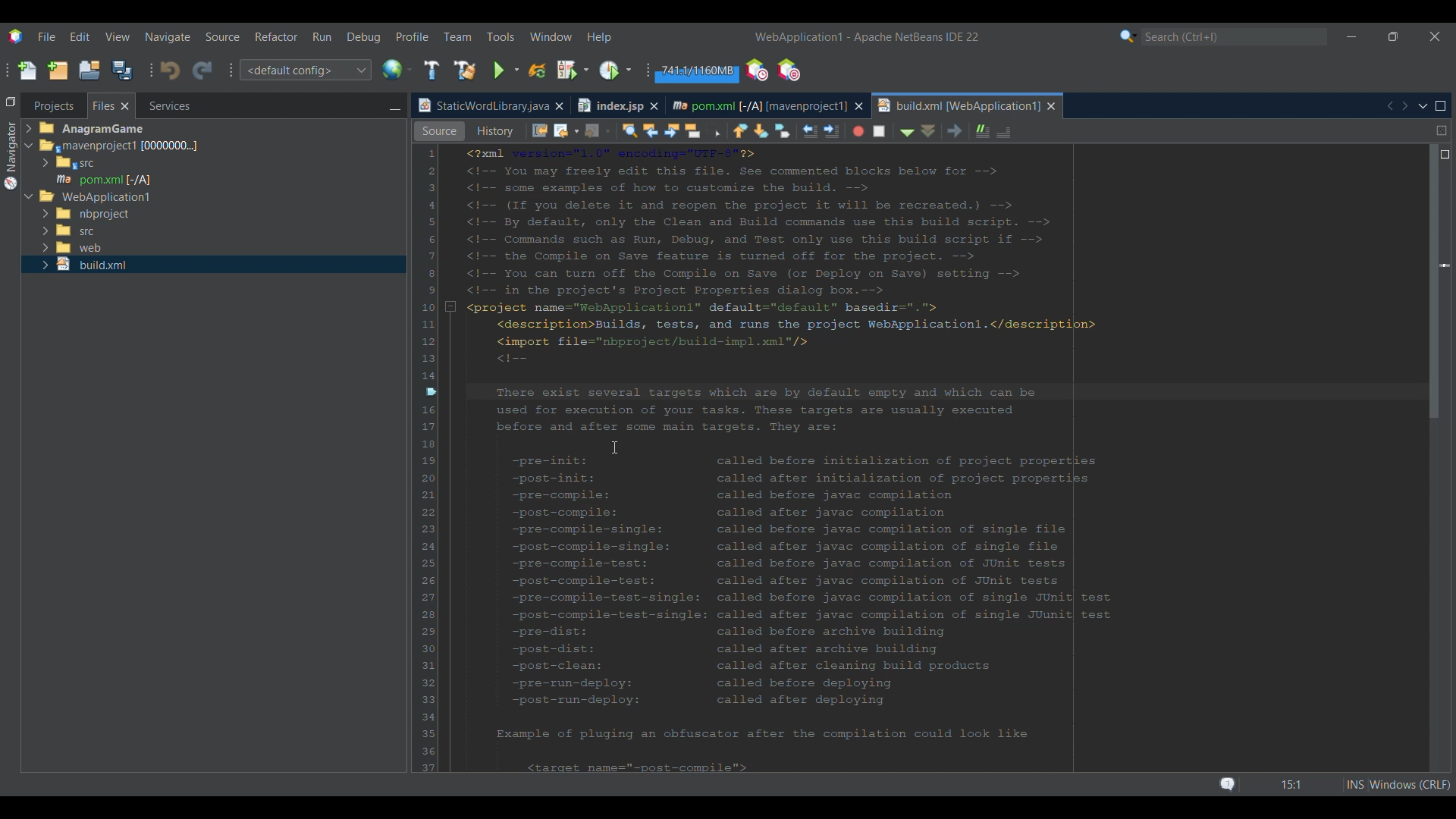 This screenshot has width=1456, height=819. I want to click on Redo, so click(202, 71).